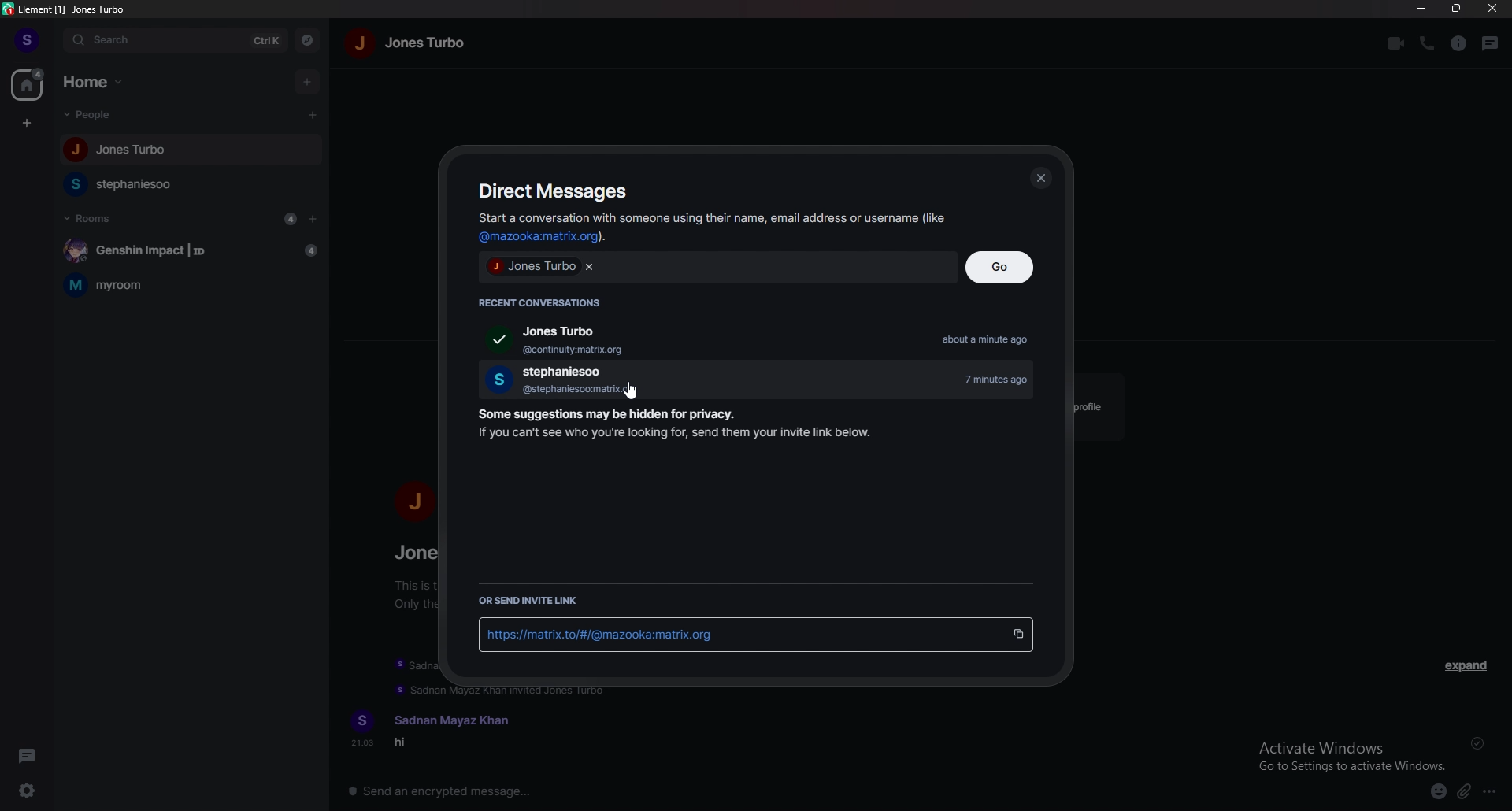 Image resolution: width=1512 pixels, height=811 pixels. What do you see at coordinates (550, 380) in the screenshot?
I see `stephaniesoo @stephaniesoo:matrix.` at bounding box center [550, 380].